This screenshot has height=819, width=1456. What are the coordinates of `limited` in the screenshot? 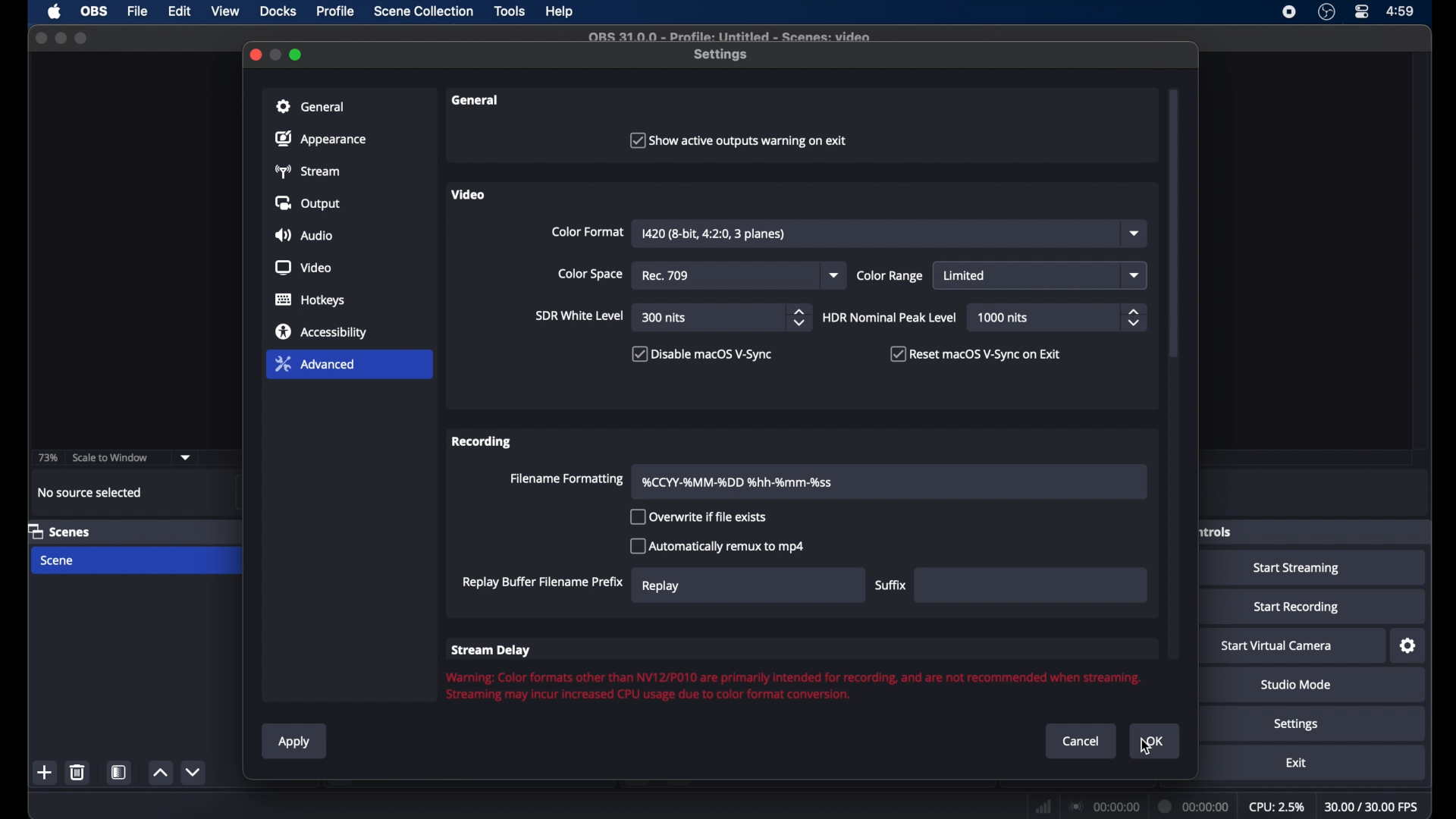 It's located at (965, 275).